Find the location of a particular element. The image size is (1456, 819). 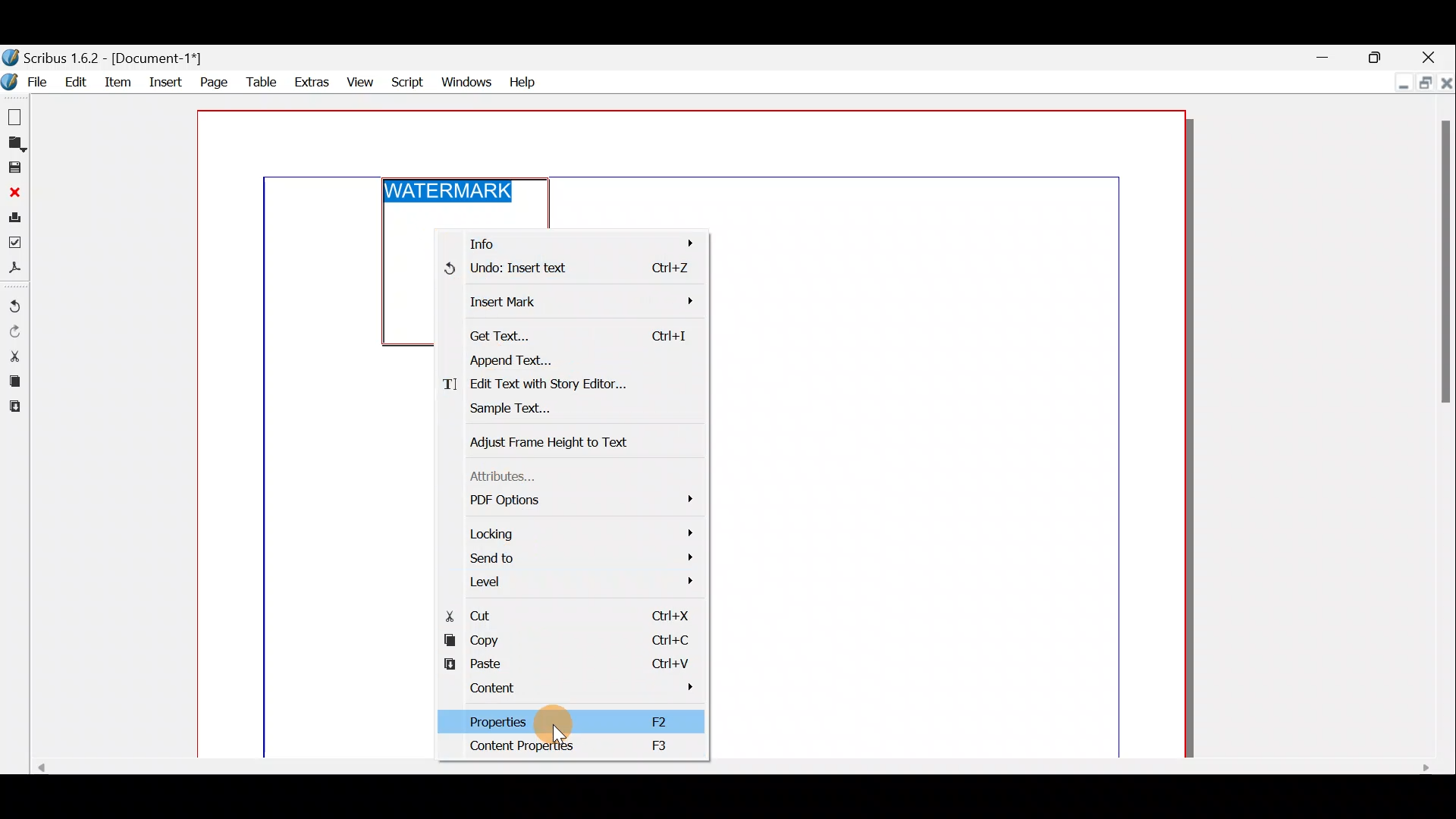

Copy is located at coordinates (12, 383).